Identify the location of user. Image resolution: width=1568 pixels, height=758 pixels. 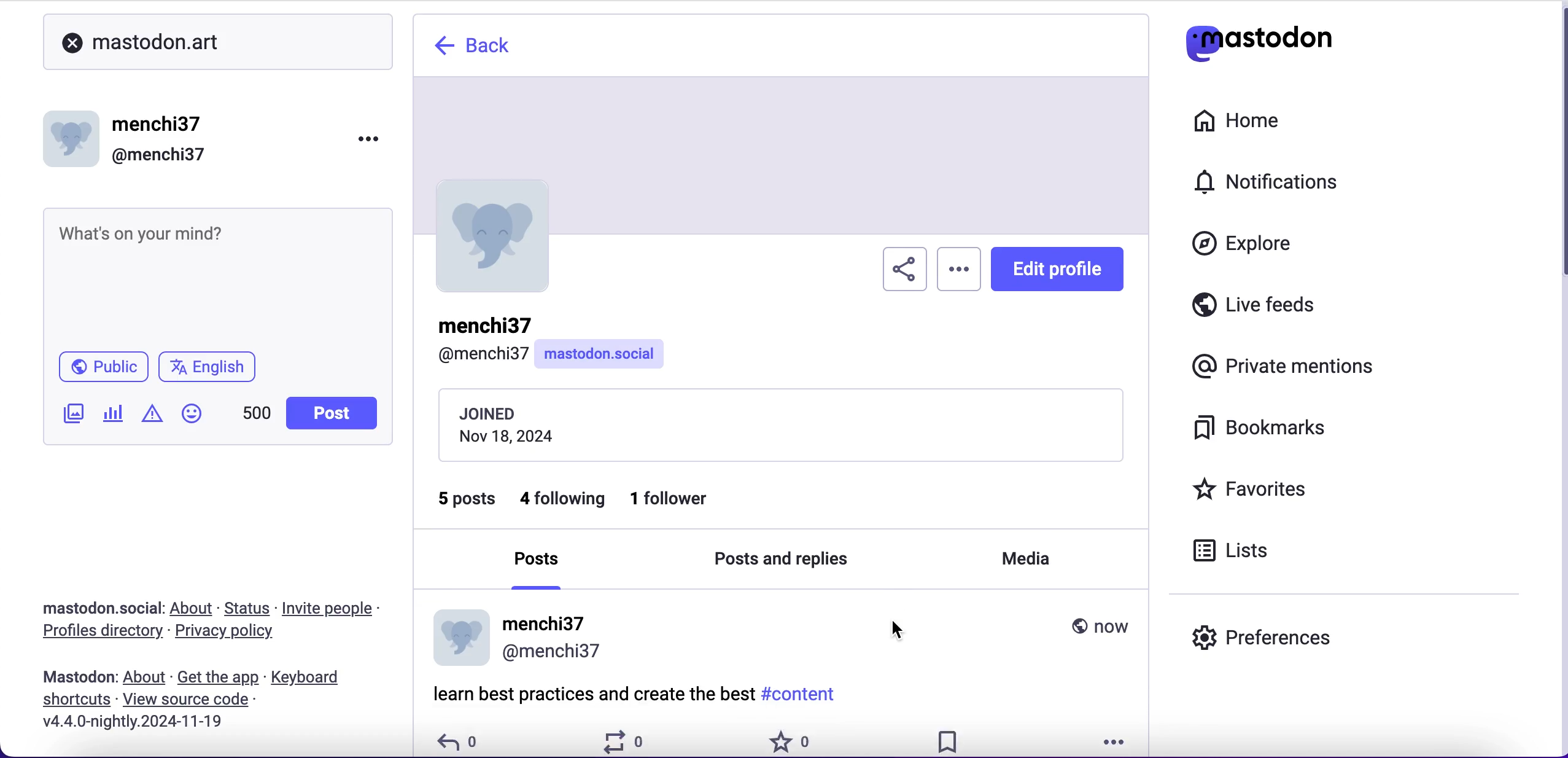
(553, 635).